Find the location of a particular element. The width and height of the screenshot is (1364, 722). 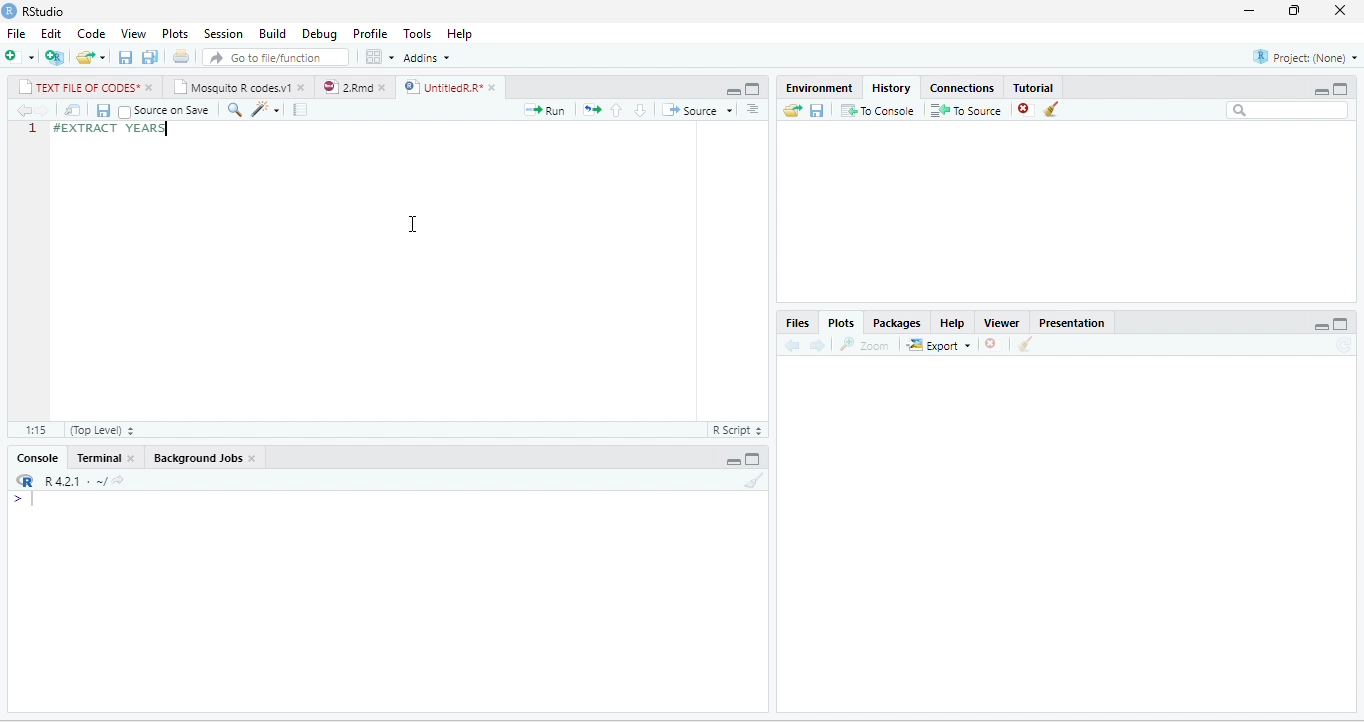

To source is located at coordinates (964, 109).